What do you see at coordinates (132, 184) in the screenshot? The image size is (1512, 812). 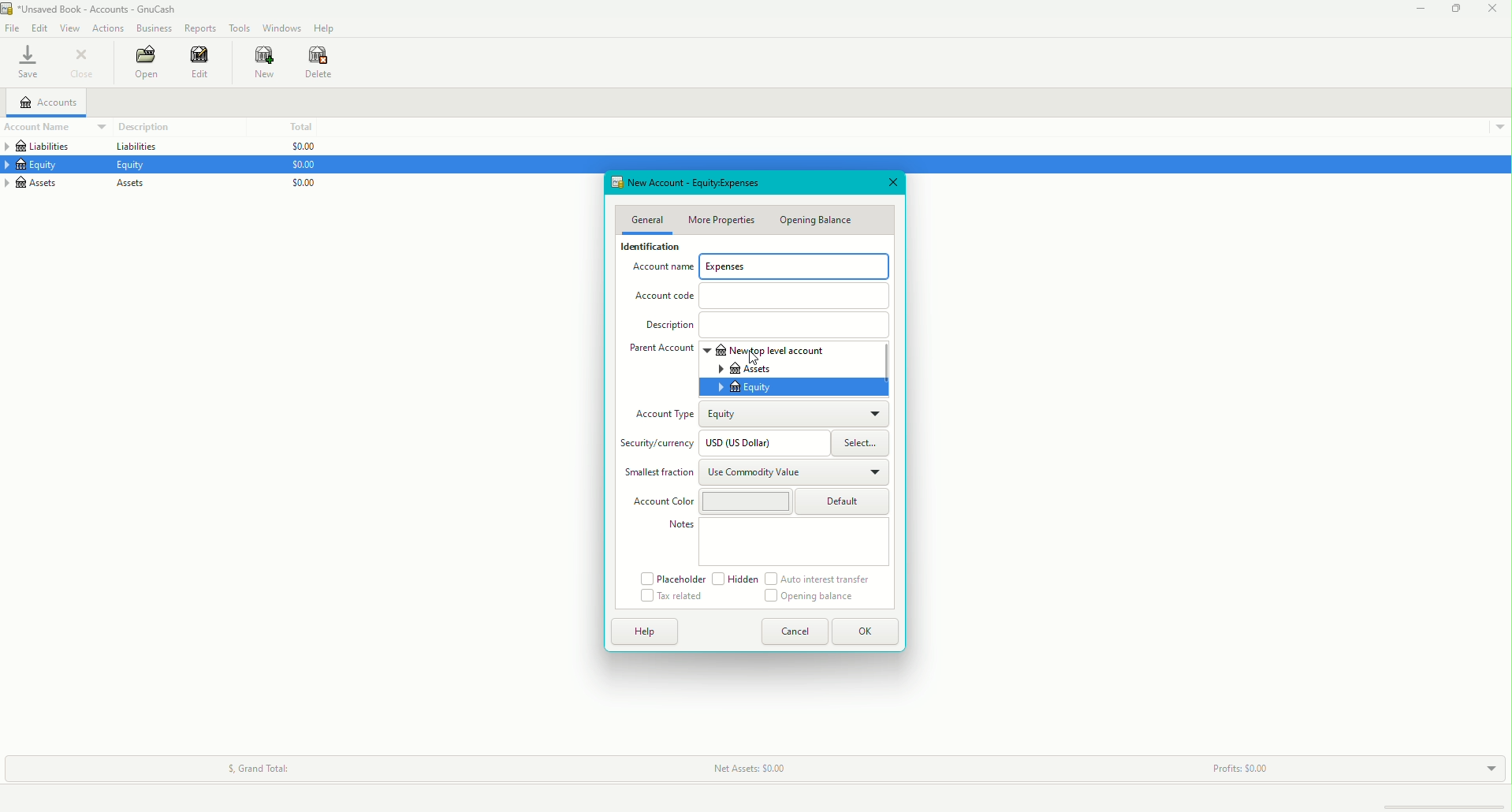 I see `Assets` at bounding box center [132, 184].